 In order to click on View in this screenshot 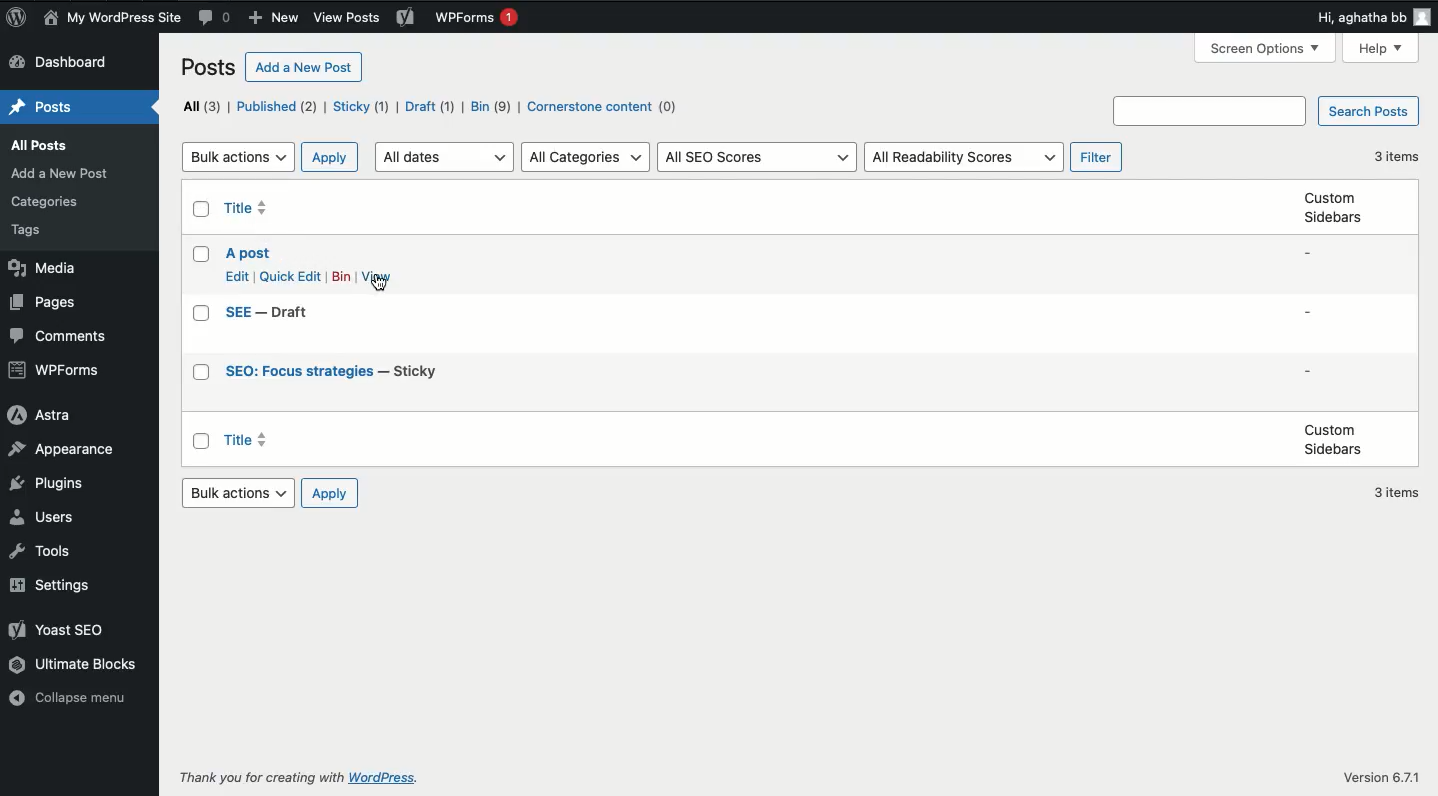, I will do `click(381, 277)`.